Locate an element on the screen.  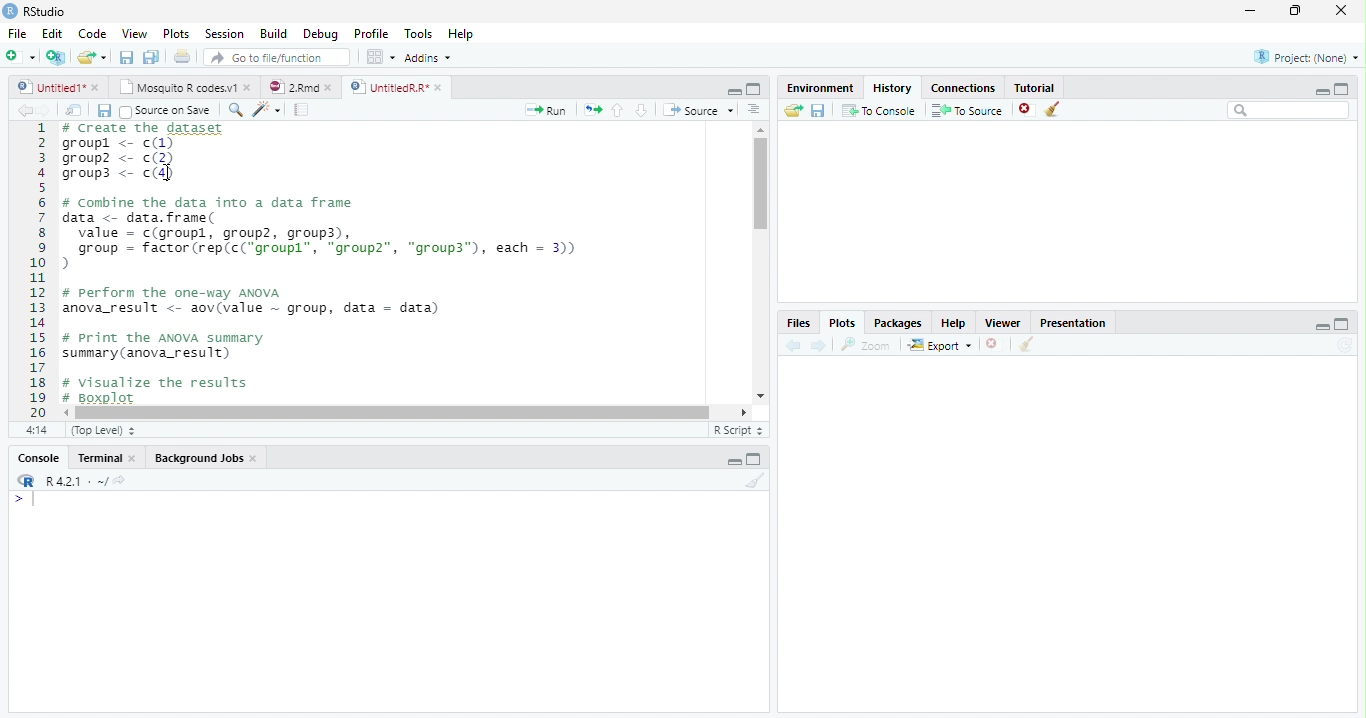
Next is located at coordinates (52, 111).